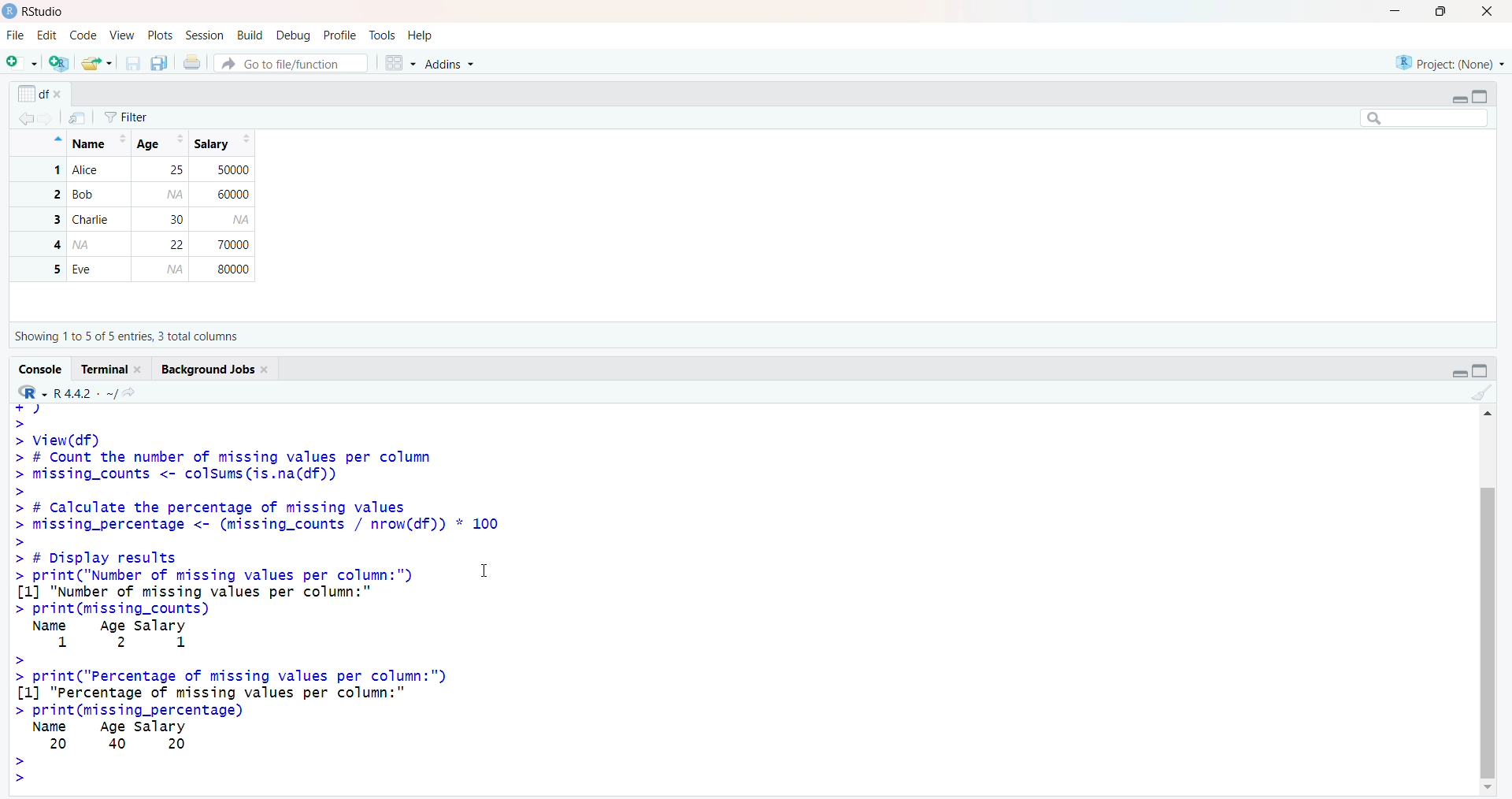  What do you see at coordinates (135, 221) in the screenshot?
I see `1 Alice 25 50000
2 Bob 60000
3 Charlie 30

4 2 70000
5 Eve 80000` at bounding box center [135, 221].